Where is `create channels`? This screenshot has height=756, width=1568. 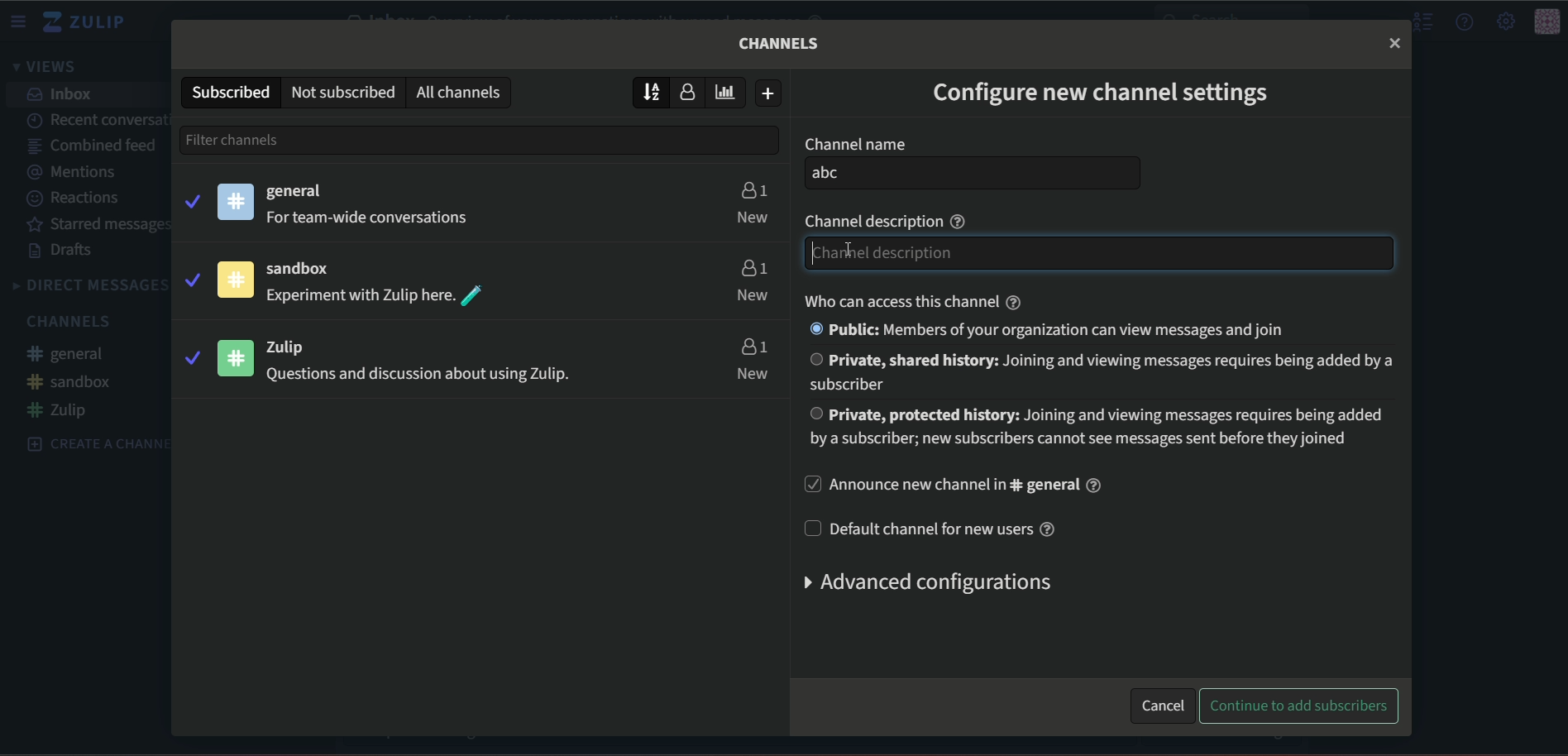 create channels is located at coordinates (89, 443).